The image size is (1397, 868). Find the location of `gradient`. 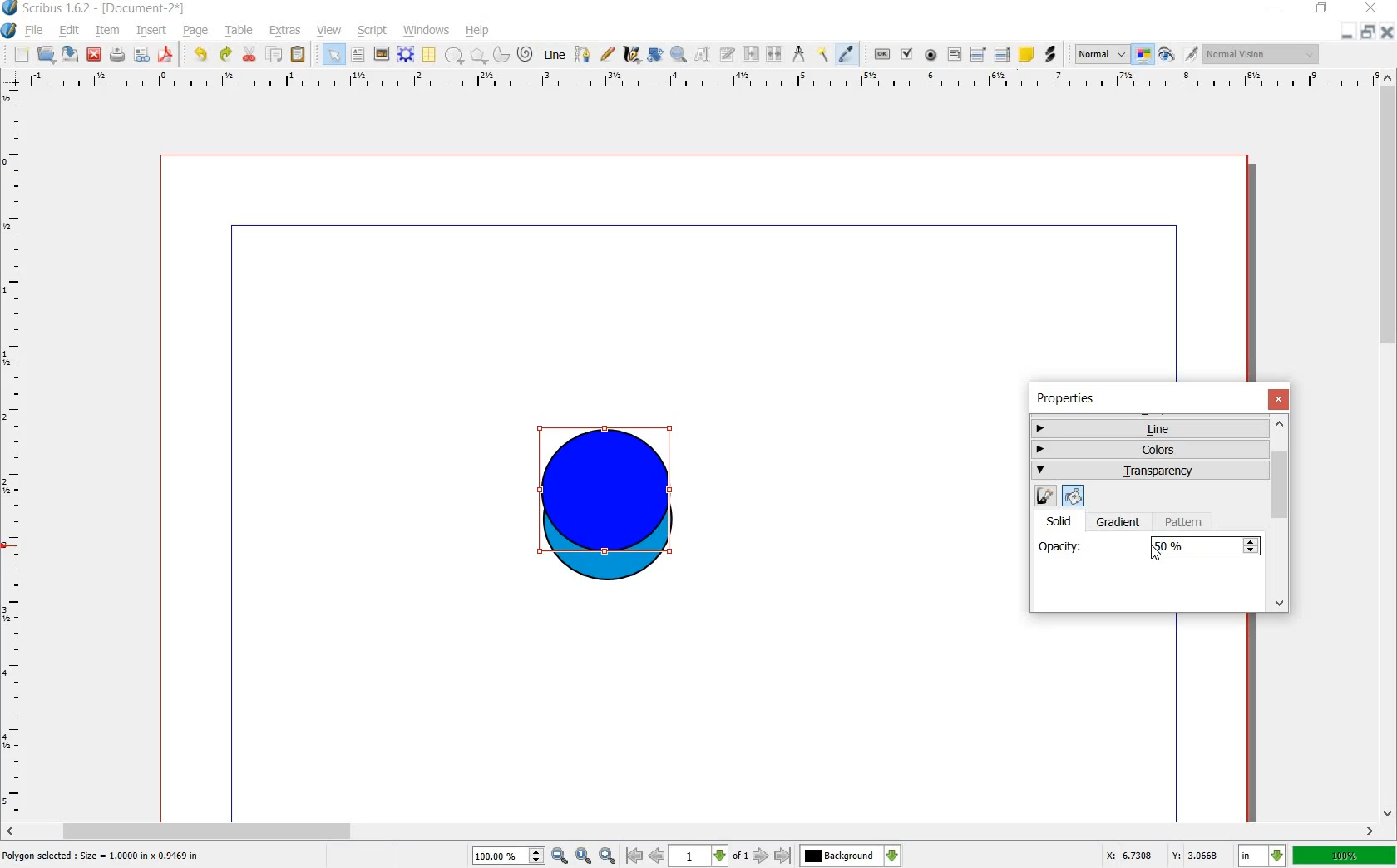

gradient is located at coordinates (1119, 523).